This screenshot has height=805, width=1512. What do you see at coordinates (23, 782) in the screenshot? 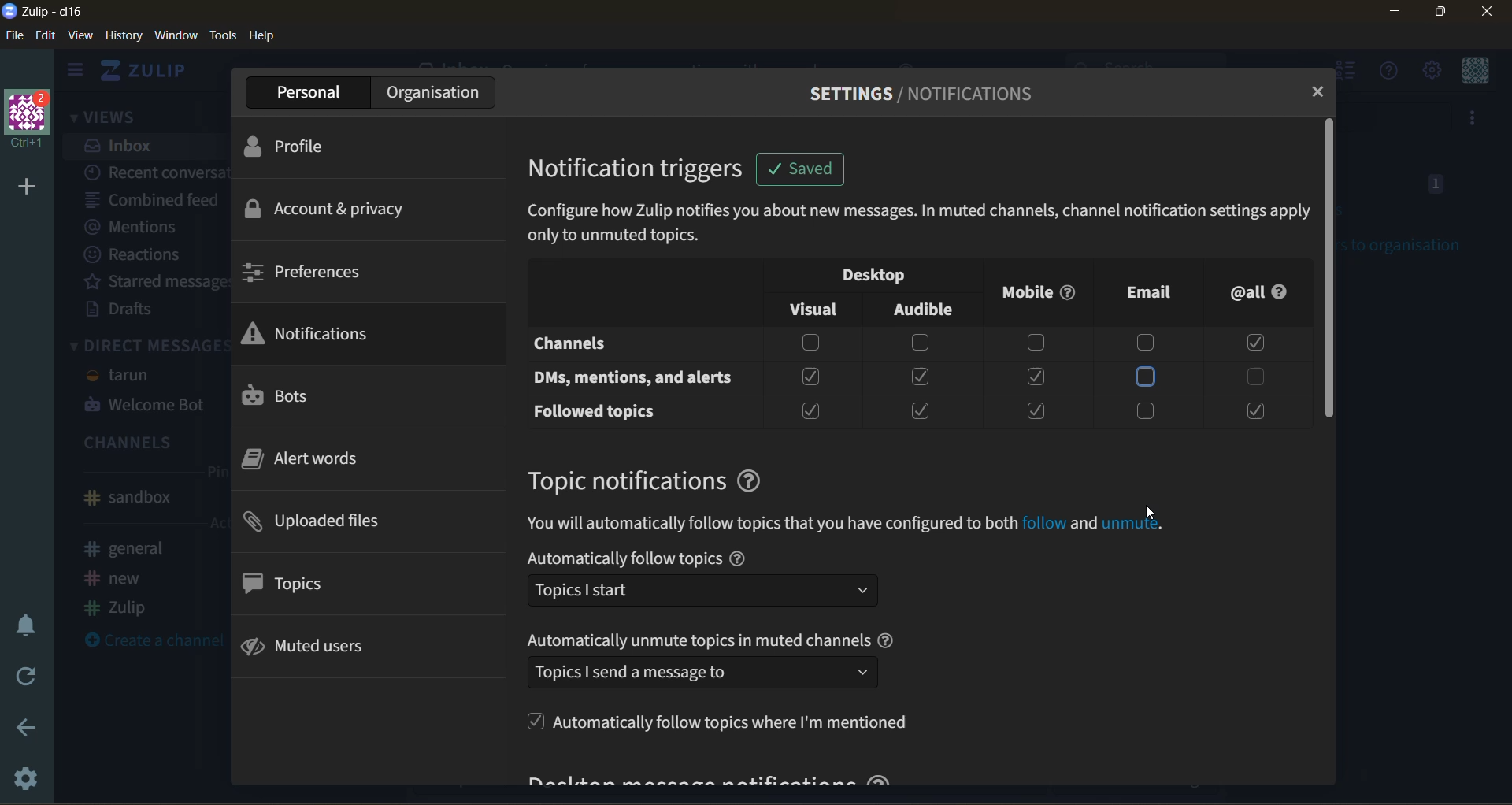
I see `settings` at bounding box center [23, 782].